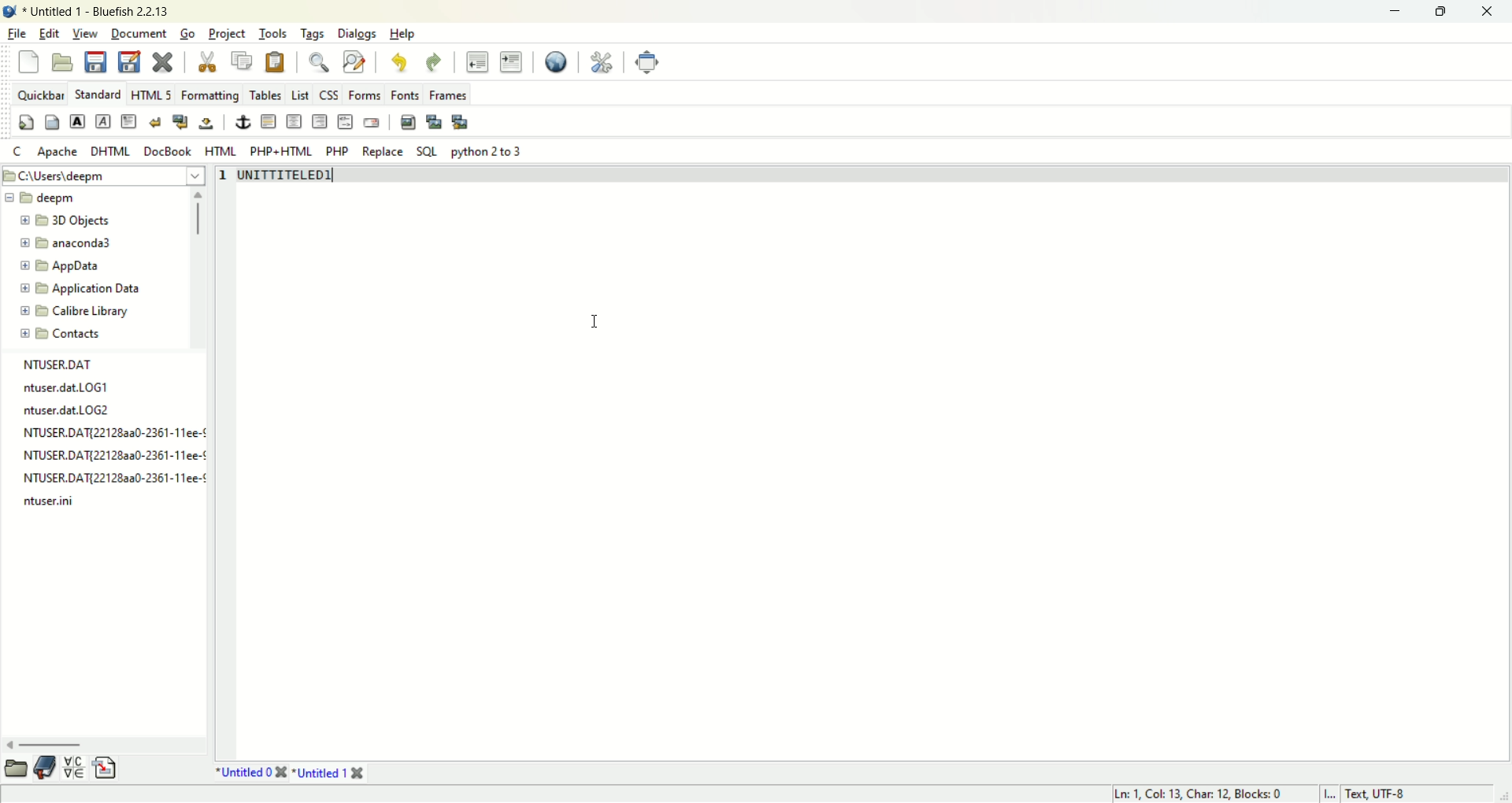 The height and width of the screenshot is (803, 1512). I want to click on redo, so click(434, 61).